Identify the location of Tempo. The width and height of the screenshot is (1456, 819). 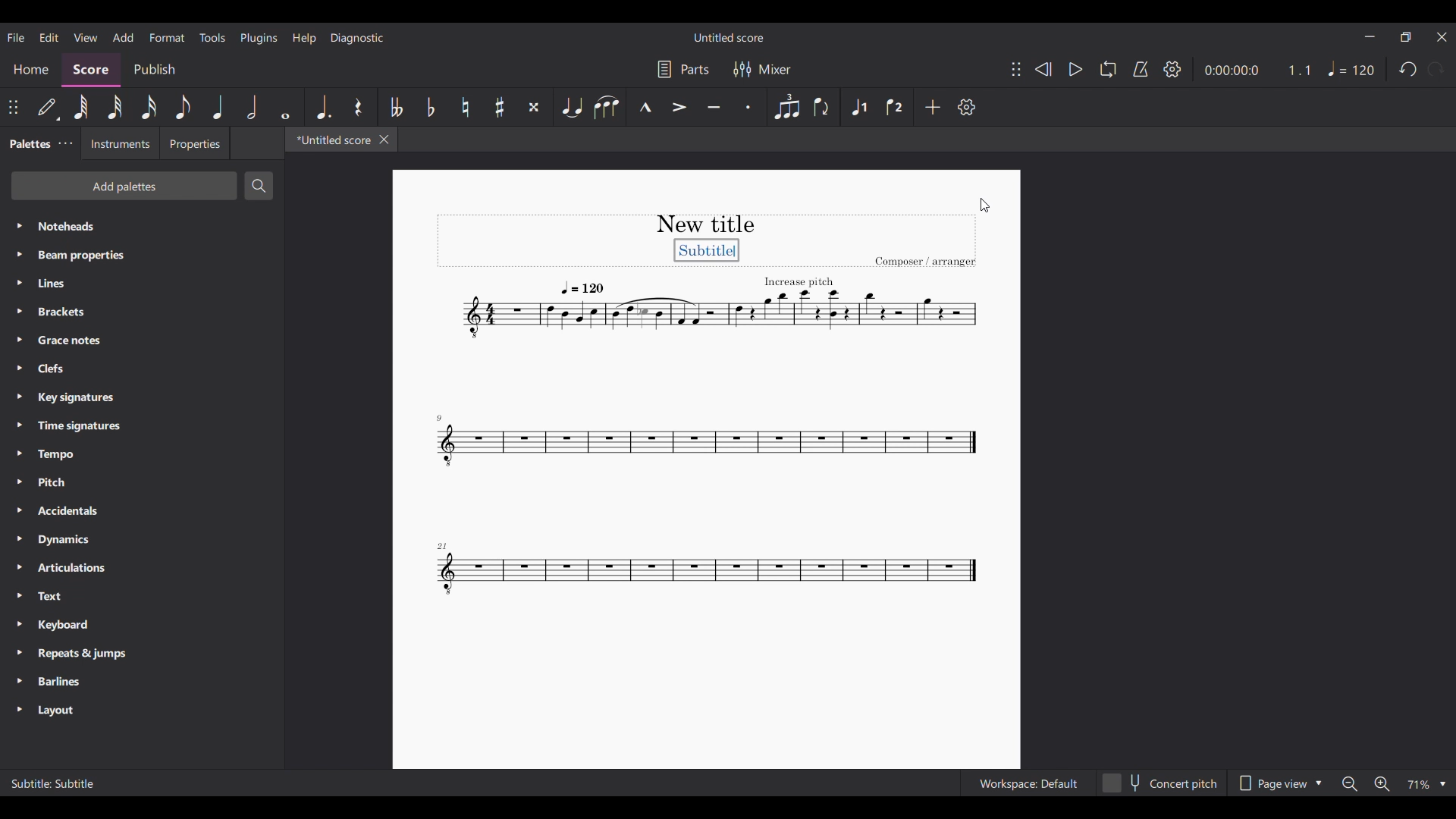
(1351, 68).